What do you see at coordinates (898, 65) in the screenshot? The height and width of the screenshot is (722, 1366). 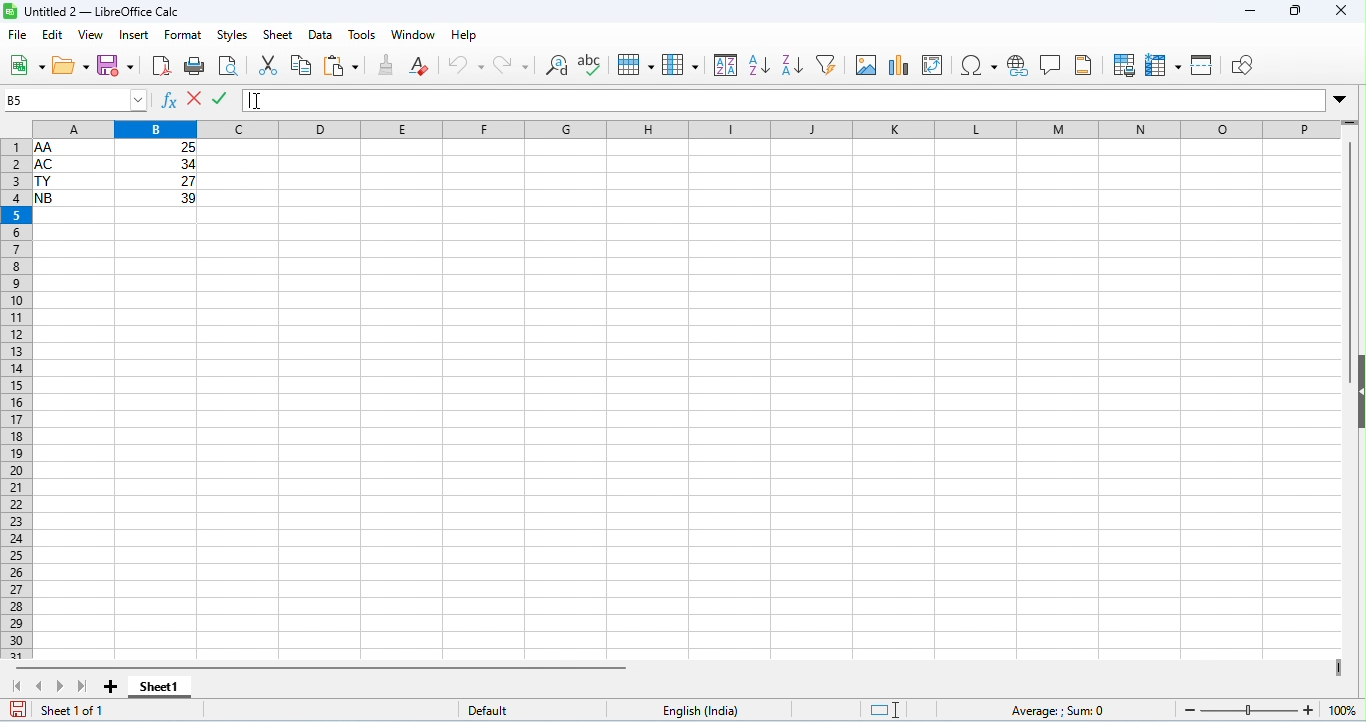 I see `insert chart` at bounding box center [898, 65].